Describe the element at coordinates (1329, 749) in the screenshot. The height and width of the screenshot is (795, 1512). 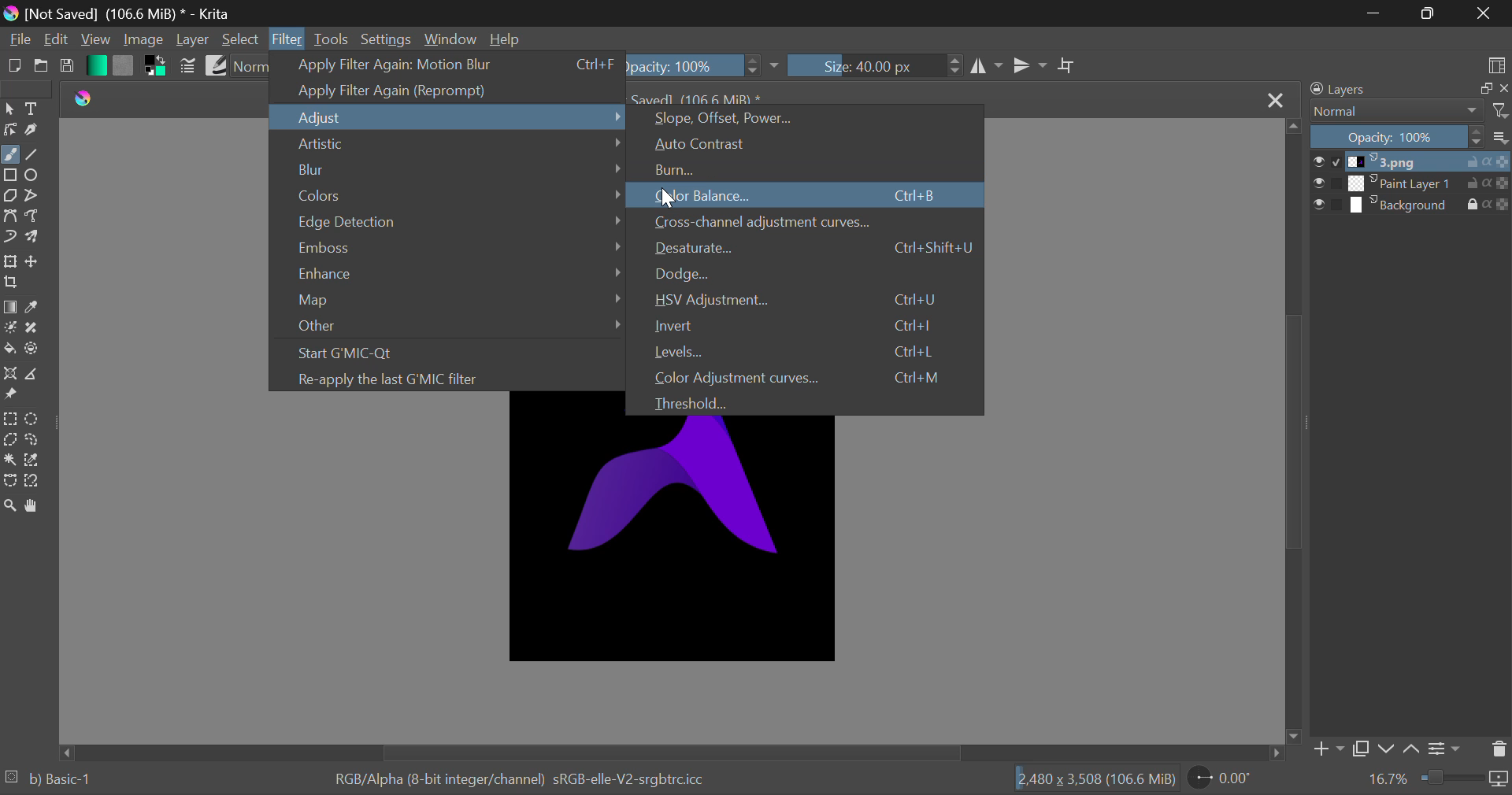
I see `Add Layer` at that location.